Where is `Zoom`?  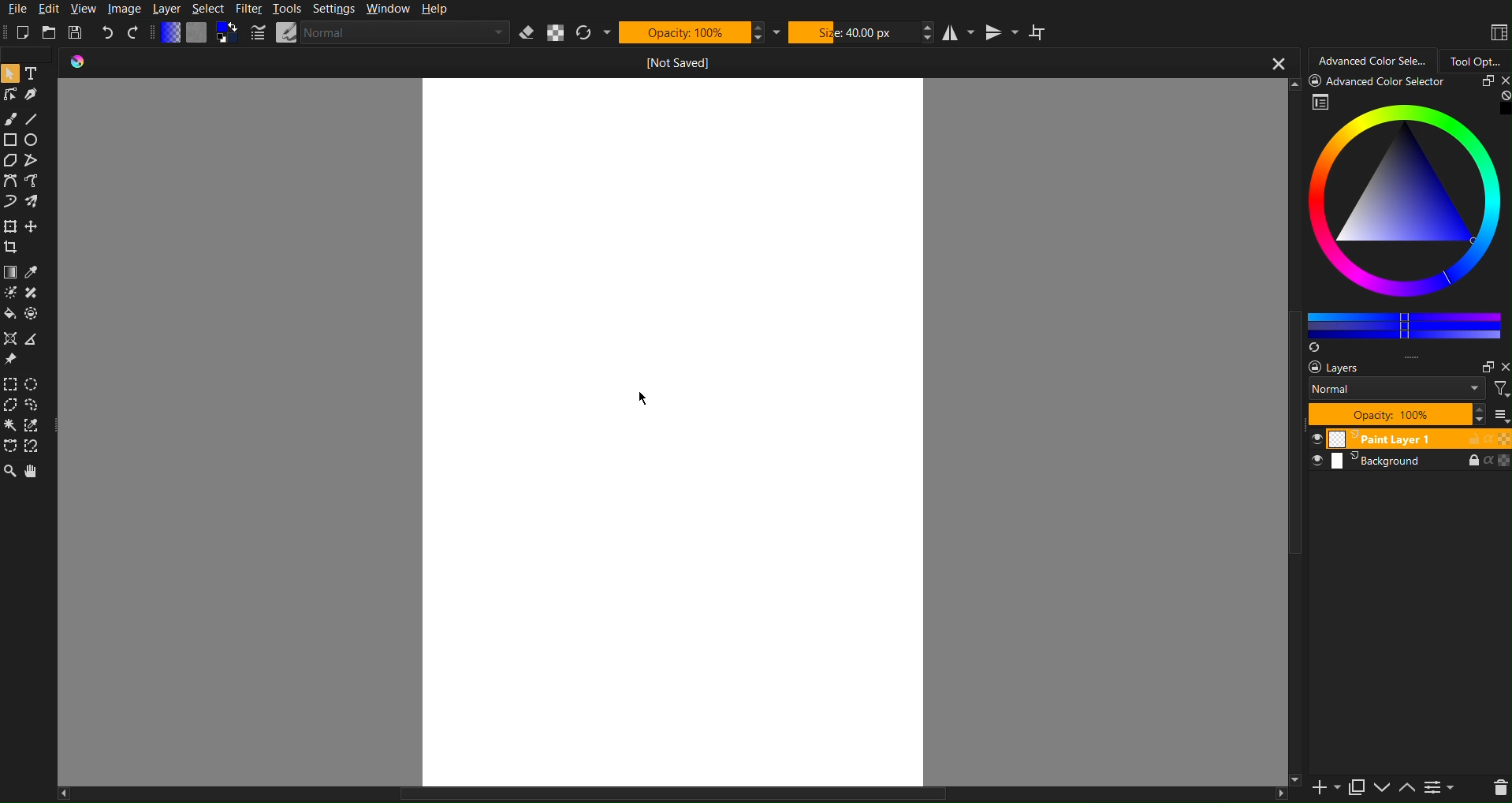
Zoom is located at coordinates (10, 472).